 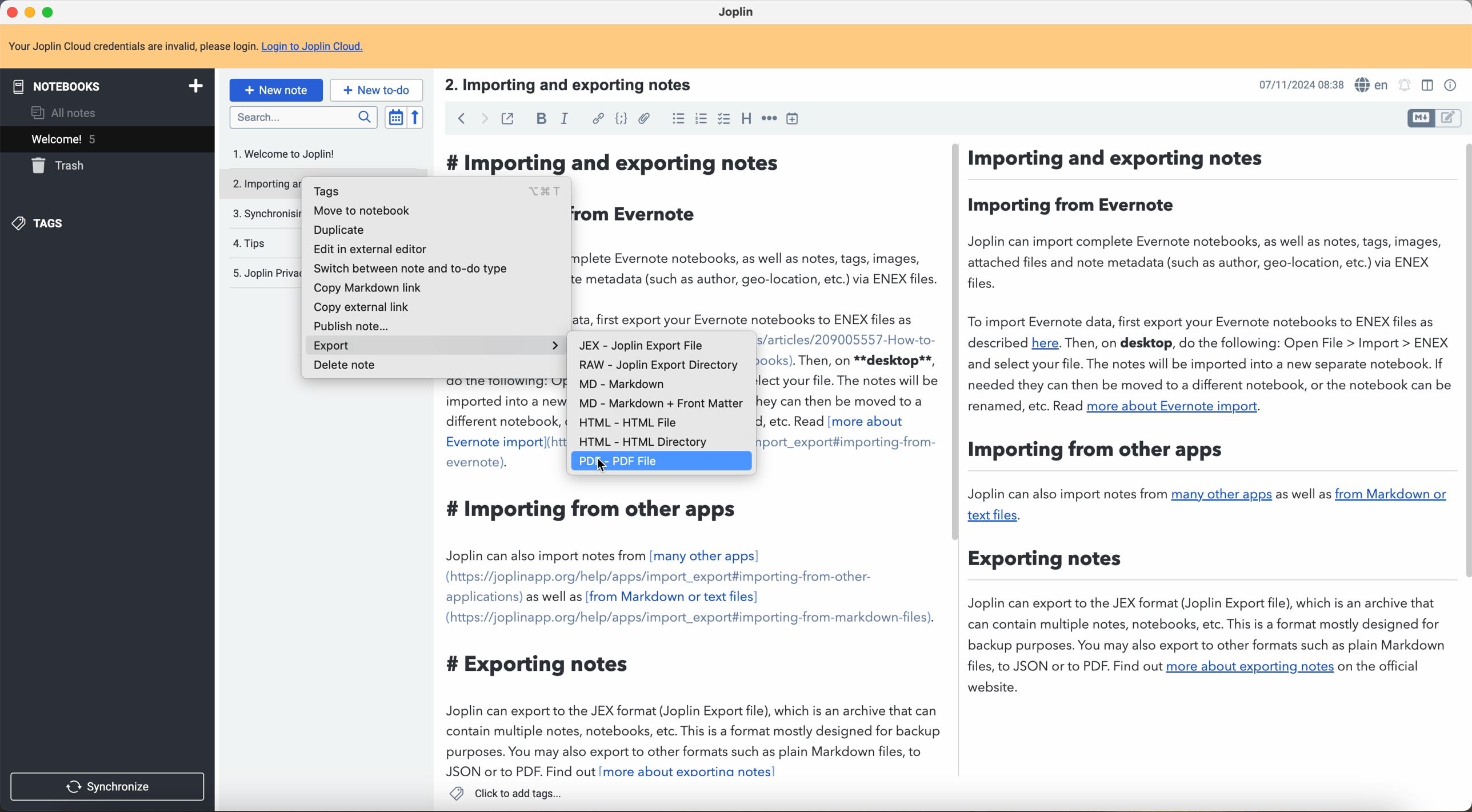 I want to click on Importing from other apps. Joplin can also import notes from many other apps..., so click(x=663, y=635).